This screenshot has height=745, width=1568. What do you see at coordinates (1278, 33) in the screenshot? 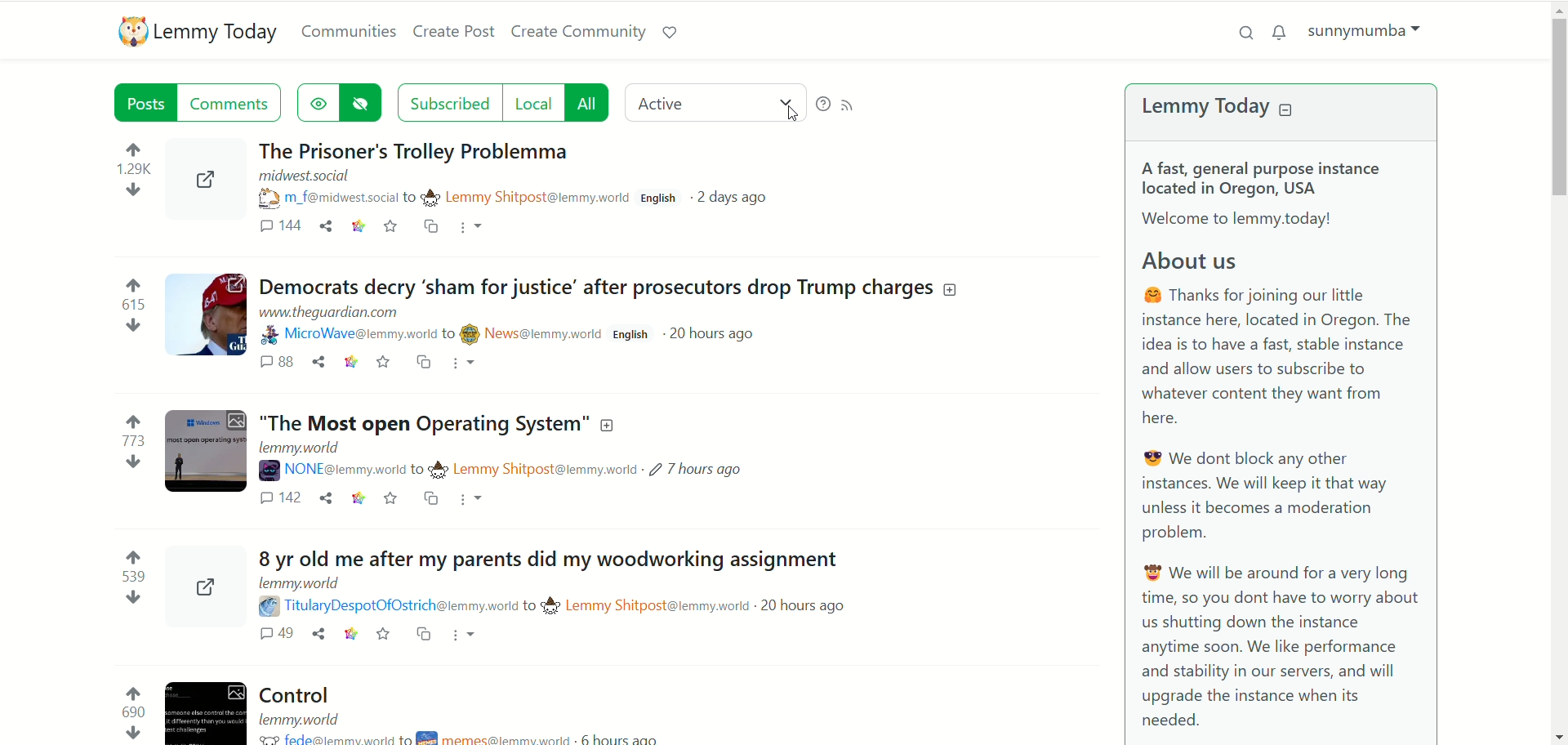
I see `Notifications` at bounding box center [1278, 33].